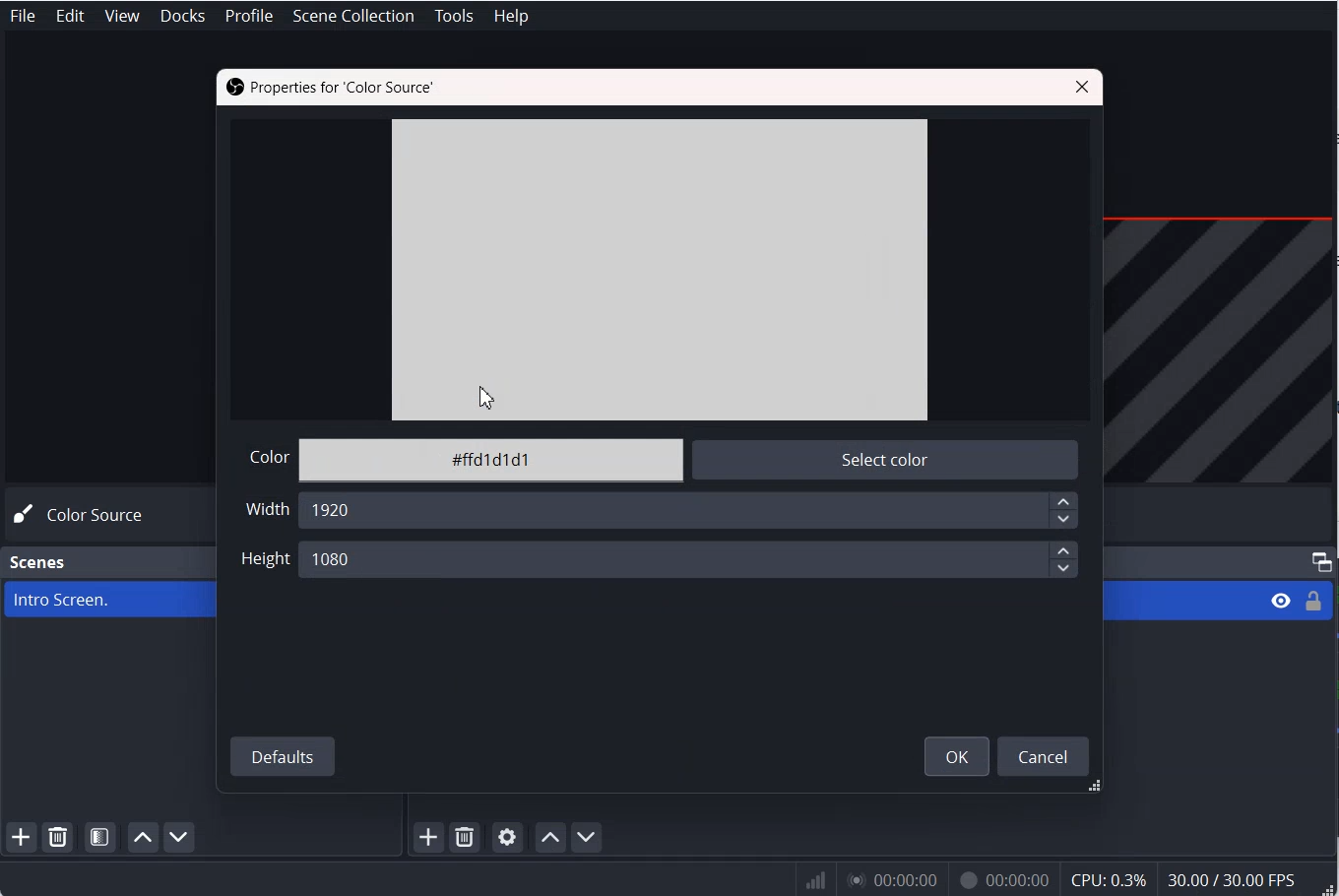  Describe the element at coordinates (465, 838) in the screenshot. I see `Remove Selected Source` at that location.